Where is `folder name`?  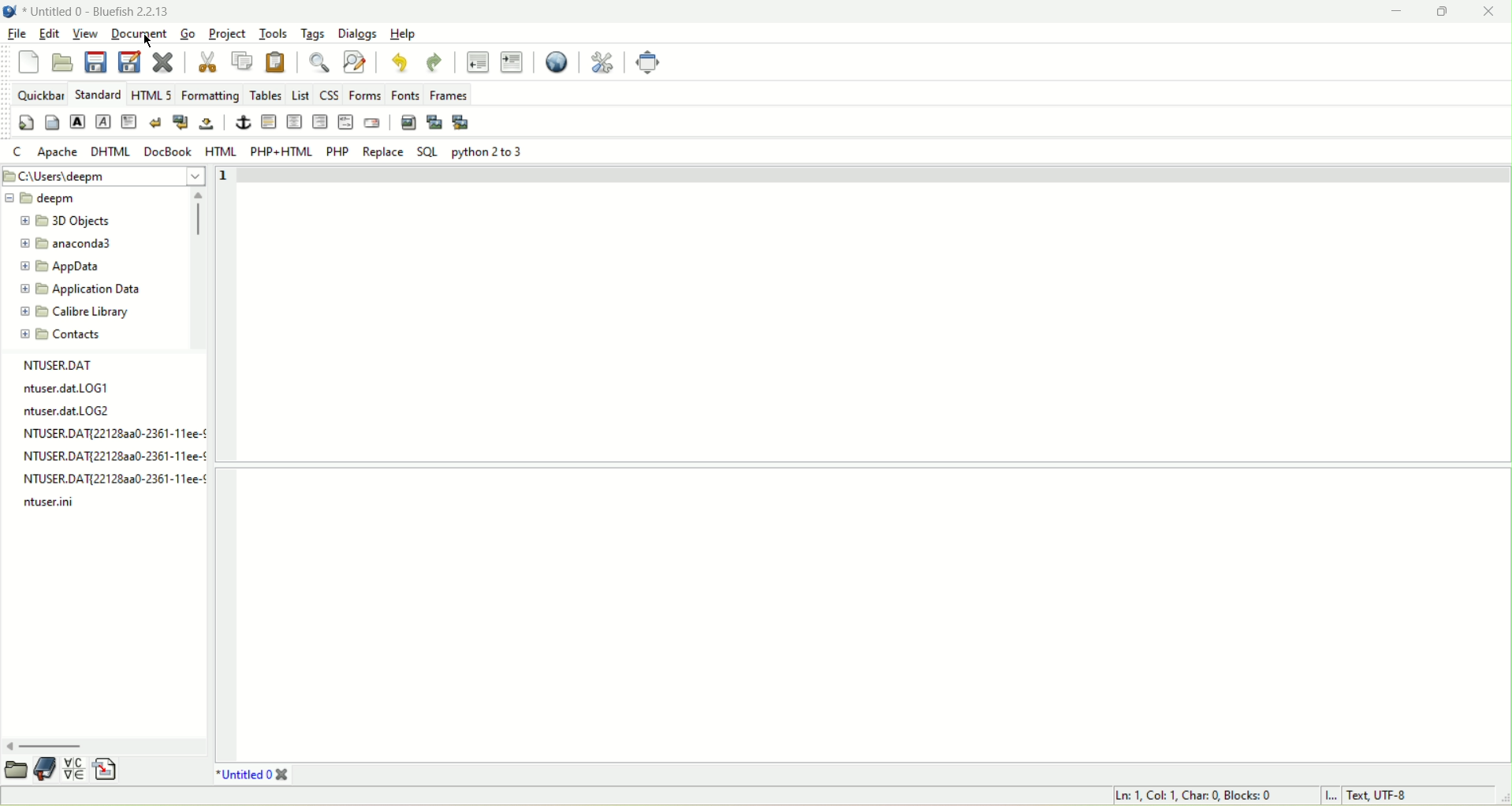 folder name is located at coordinates (77, 312).